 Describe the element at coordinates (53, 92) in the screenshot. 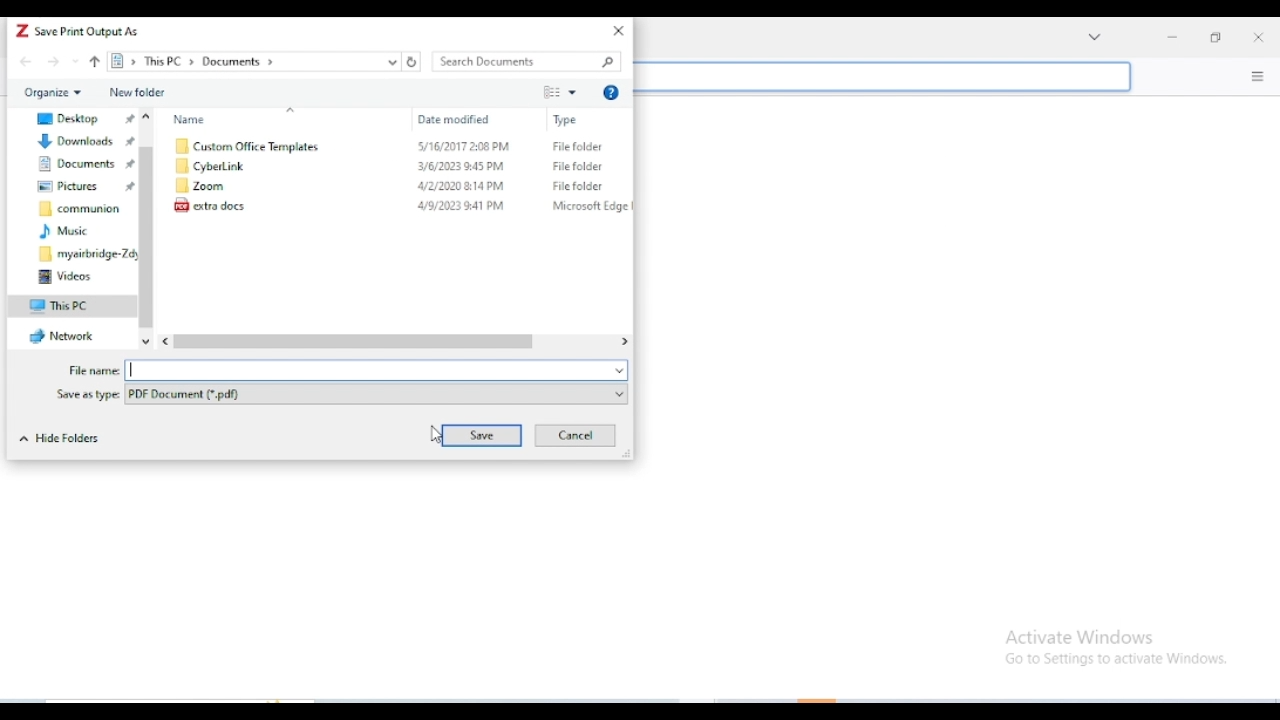

I see `organize` at that location.